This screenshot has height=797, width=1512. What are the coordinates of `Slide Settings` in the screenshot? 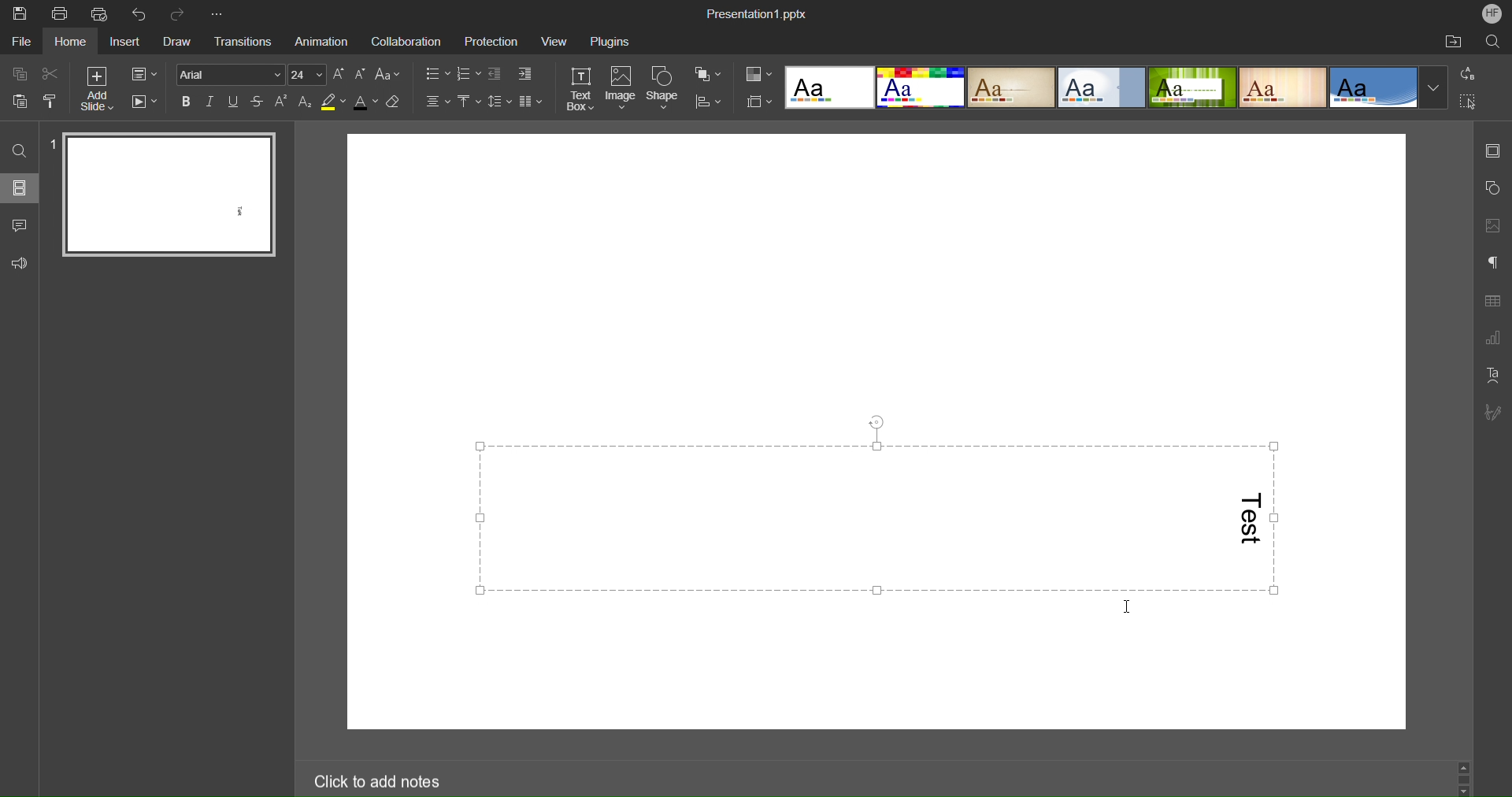 It's located at (144, 73).